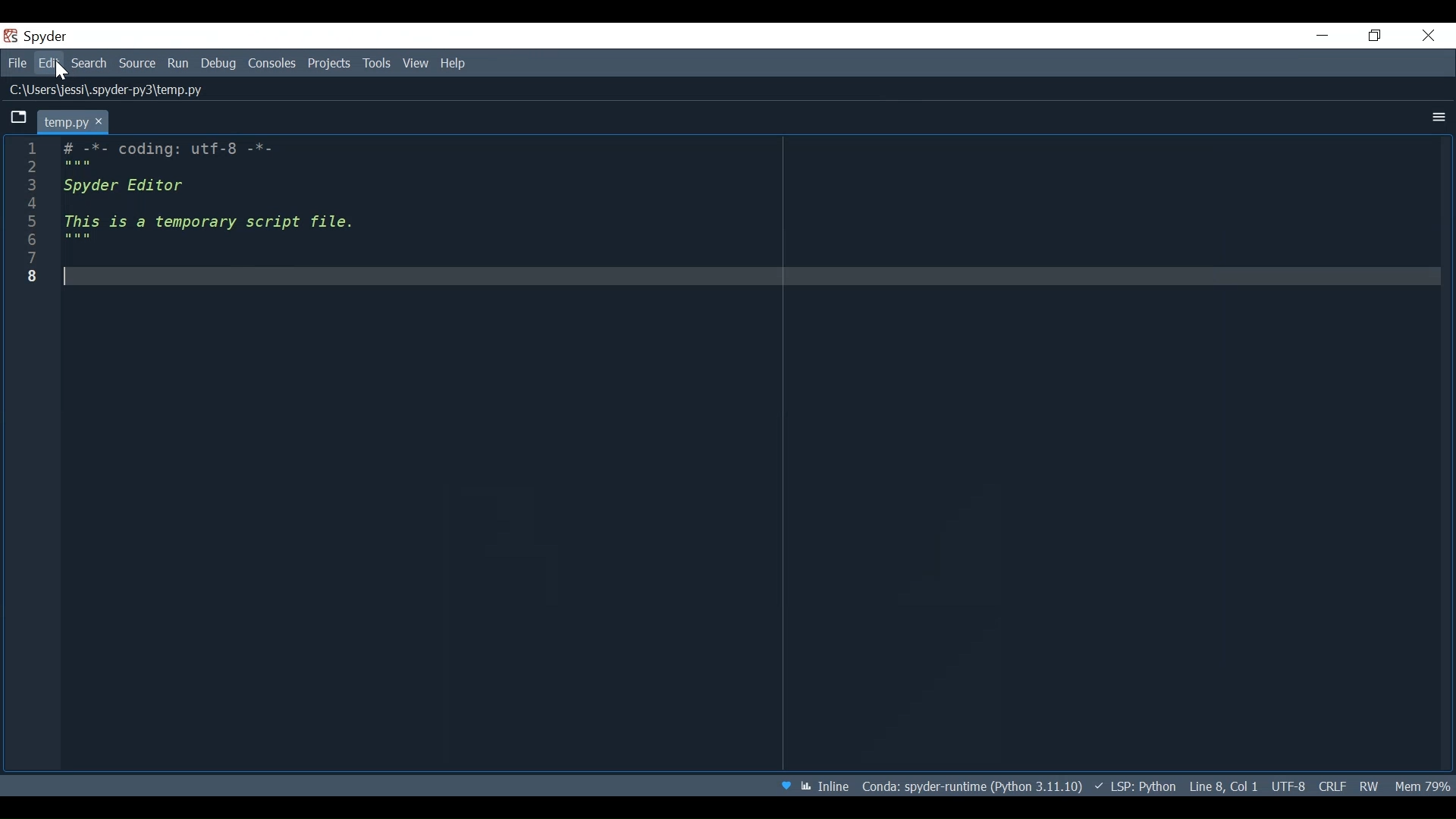 Image resolution: width=1456 pixels, height=819 pixels. Describe the element at coordinates (824, 786) in the screenshot. I see `Toggle Inline and interactive Matplotlib plotting` at that location.